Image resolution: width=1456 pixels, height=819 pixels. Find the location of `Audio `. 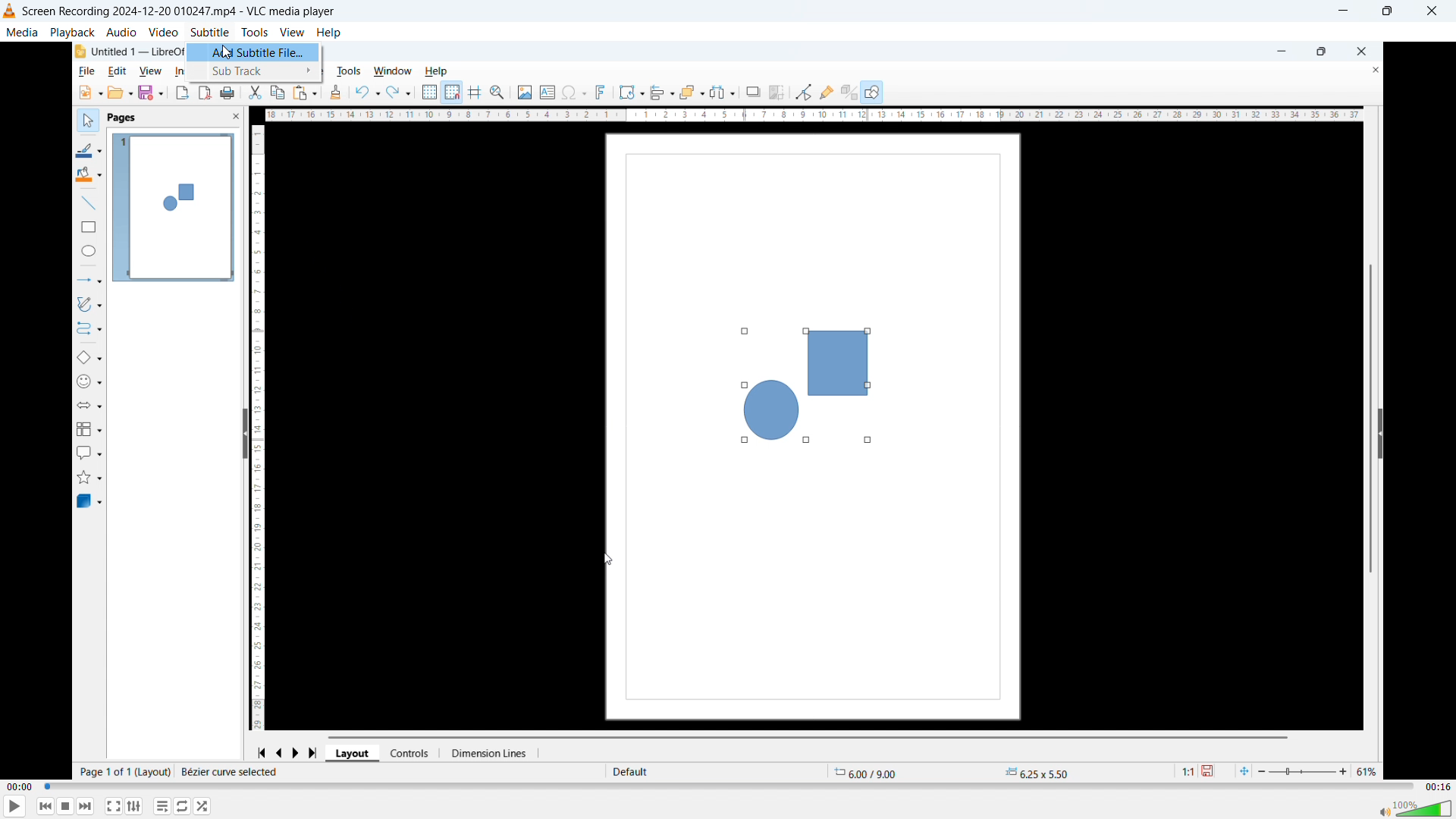

Audio  is located at coordinates (122, 32).